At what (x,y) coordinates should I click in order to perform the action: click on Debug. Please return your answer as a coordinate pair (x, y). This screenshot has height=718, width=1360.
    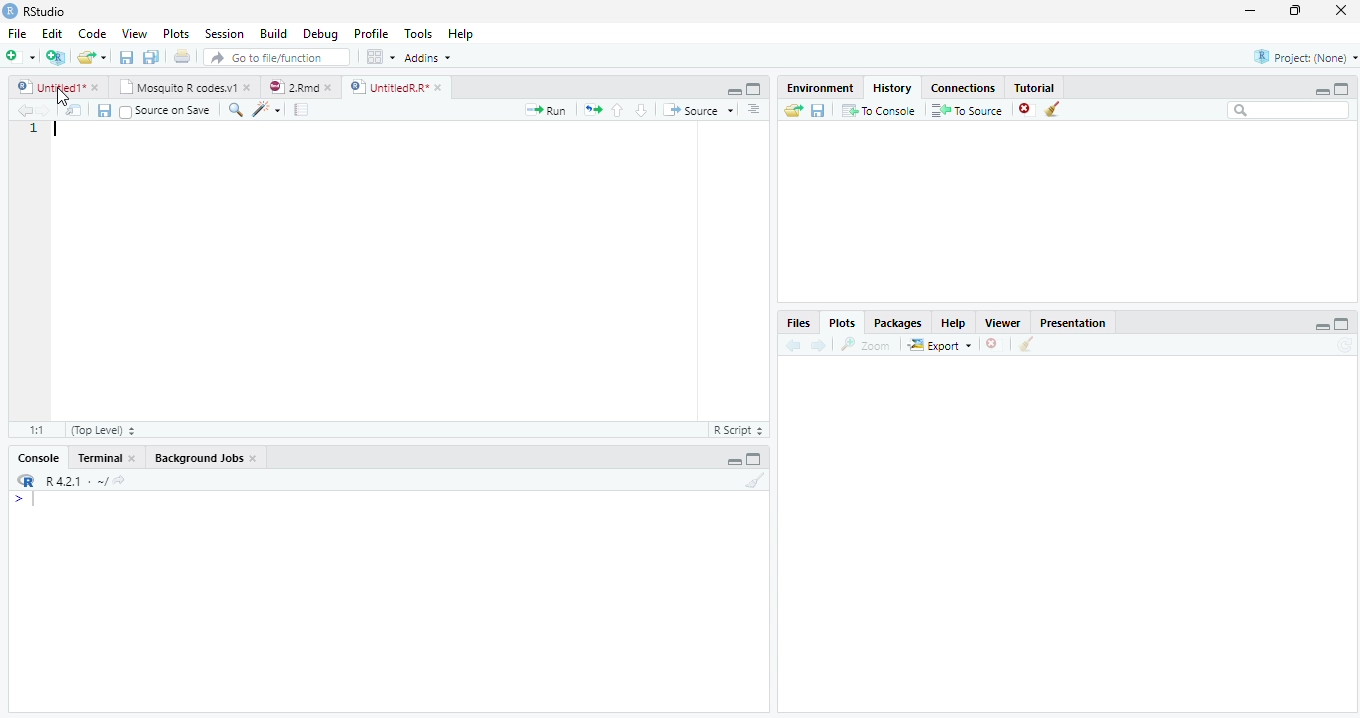
    Looking at the image, I should click on (321, 33).